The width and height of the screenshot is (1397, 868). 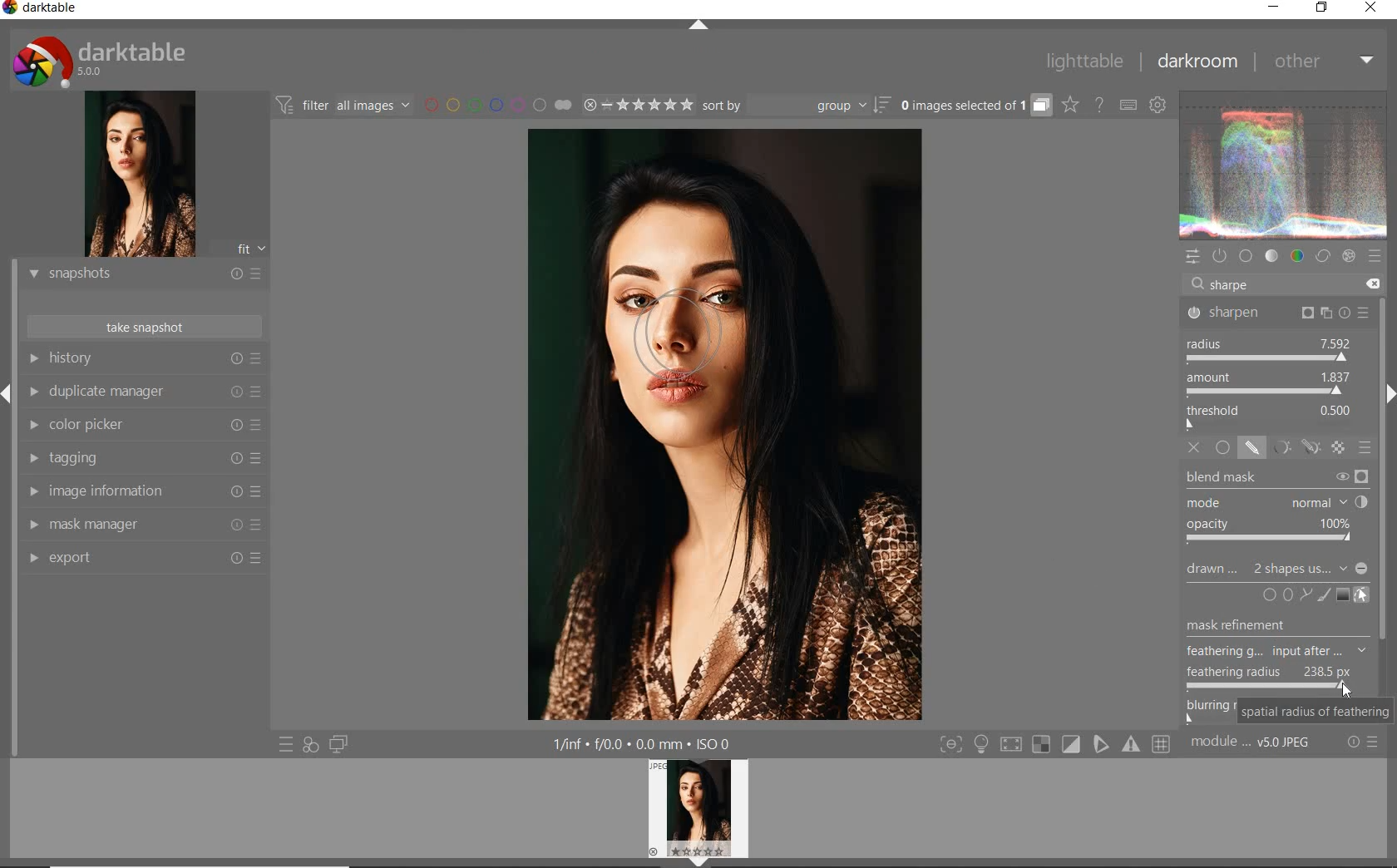 I want to click on change overlays shown on thumbnails, so click(x=1069, y=106).